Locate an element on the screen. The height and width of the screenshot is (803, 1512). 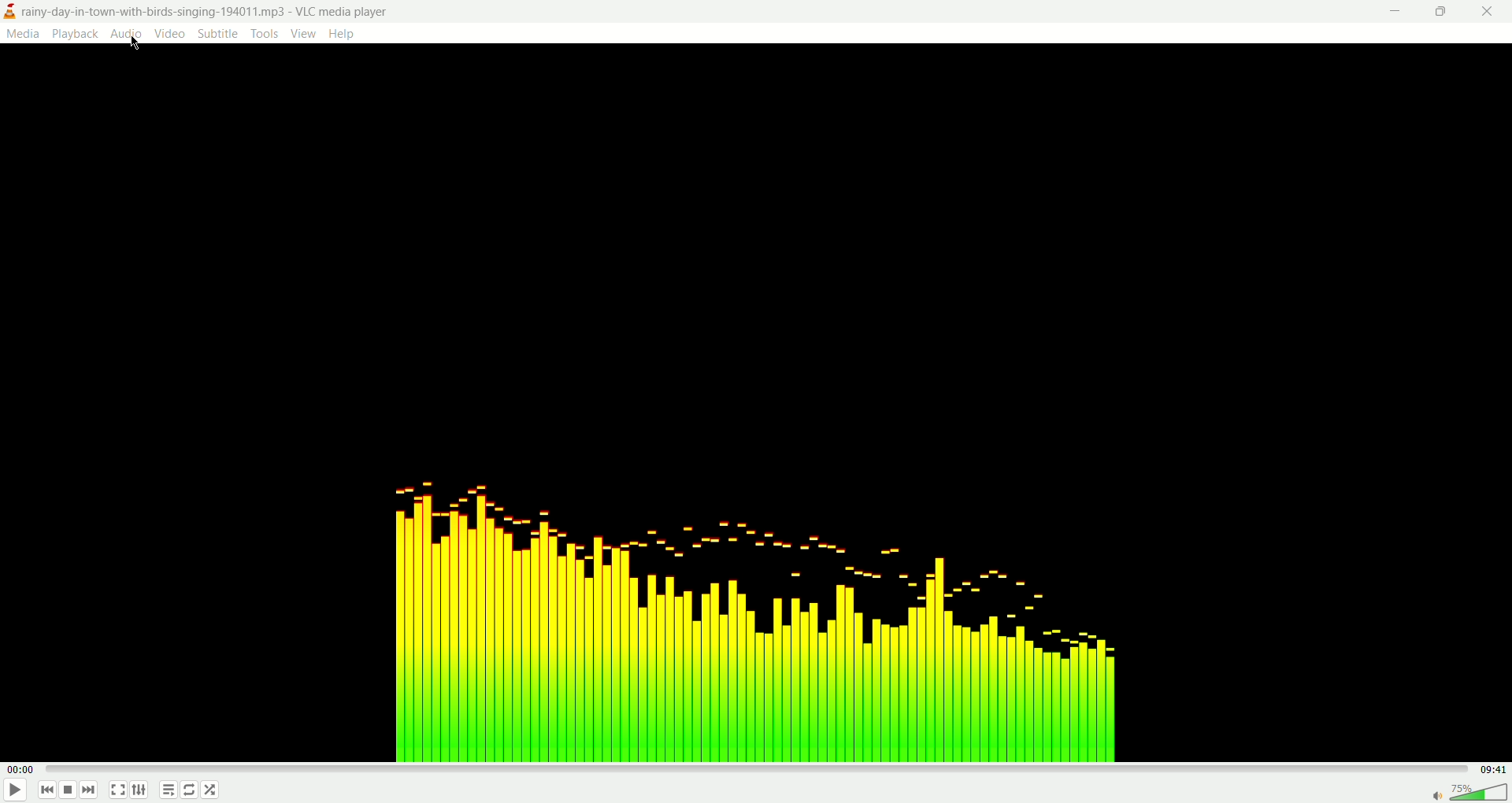
subtitle is located at coordinates (217, 31).